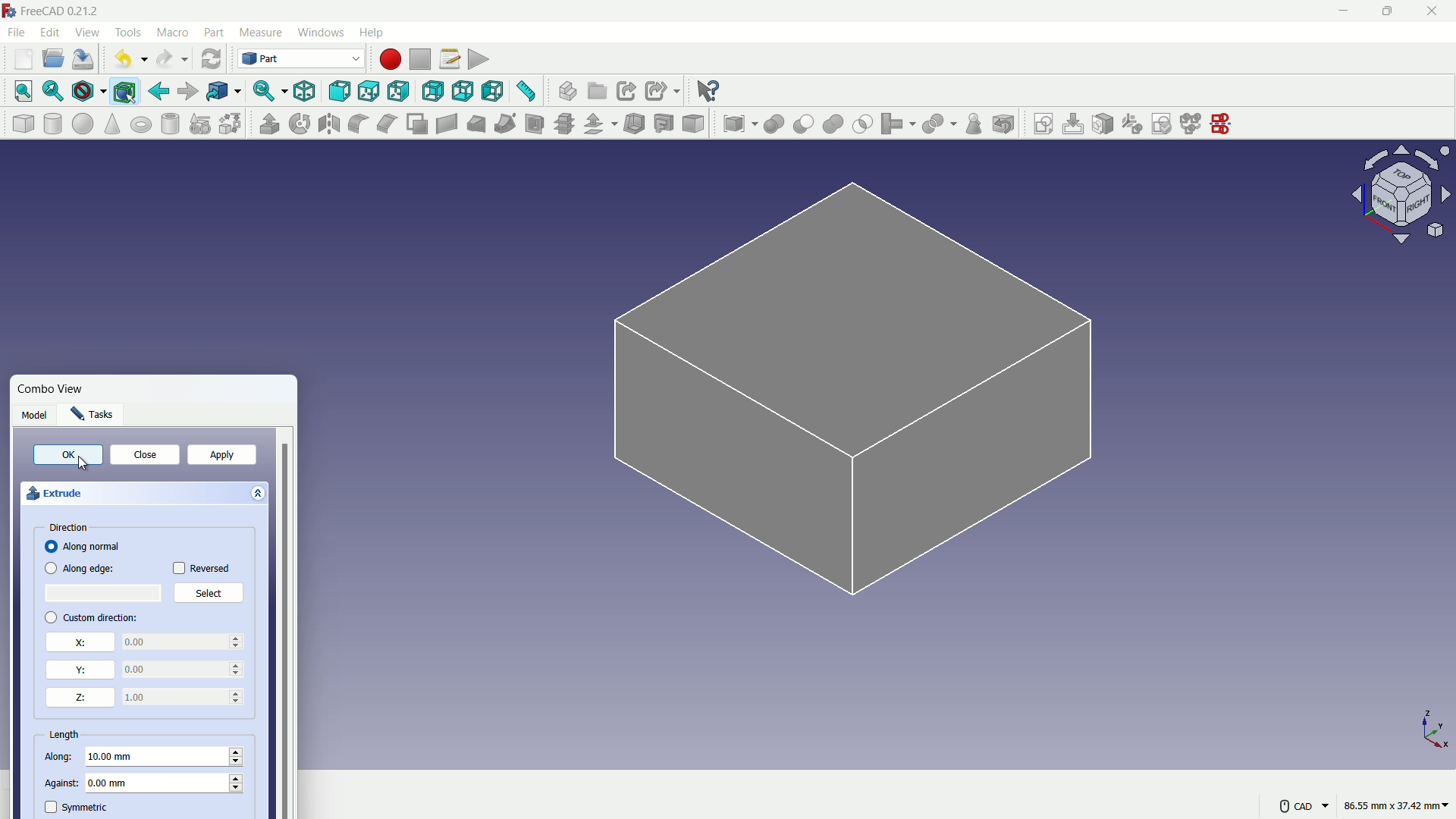 The width and height of the screenshot is (1456, 819). Describe the element at coordinates (305, 92) in the screenshot. I see `isometric view` at that location.